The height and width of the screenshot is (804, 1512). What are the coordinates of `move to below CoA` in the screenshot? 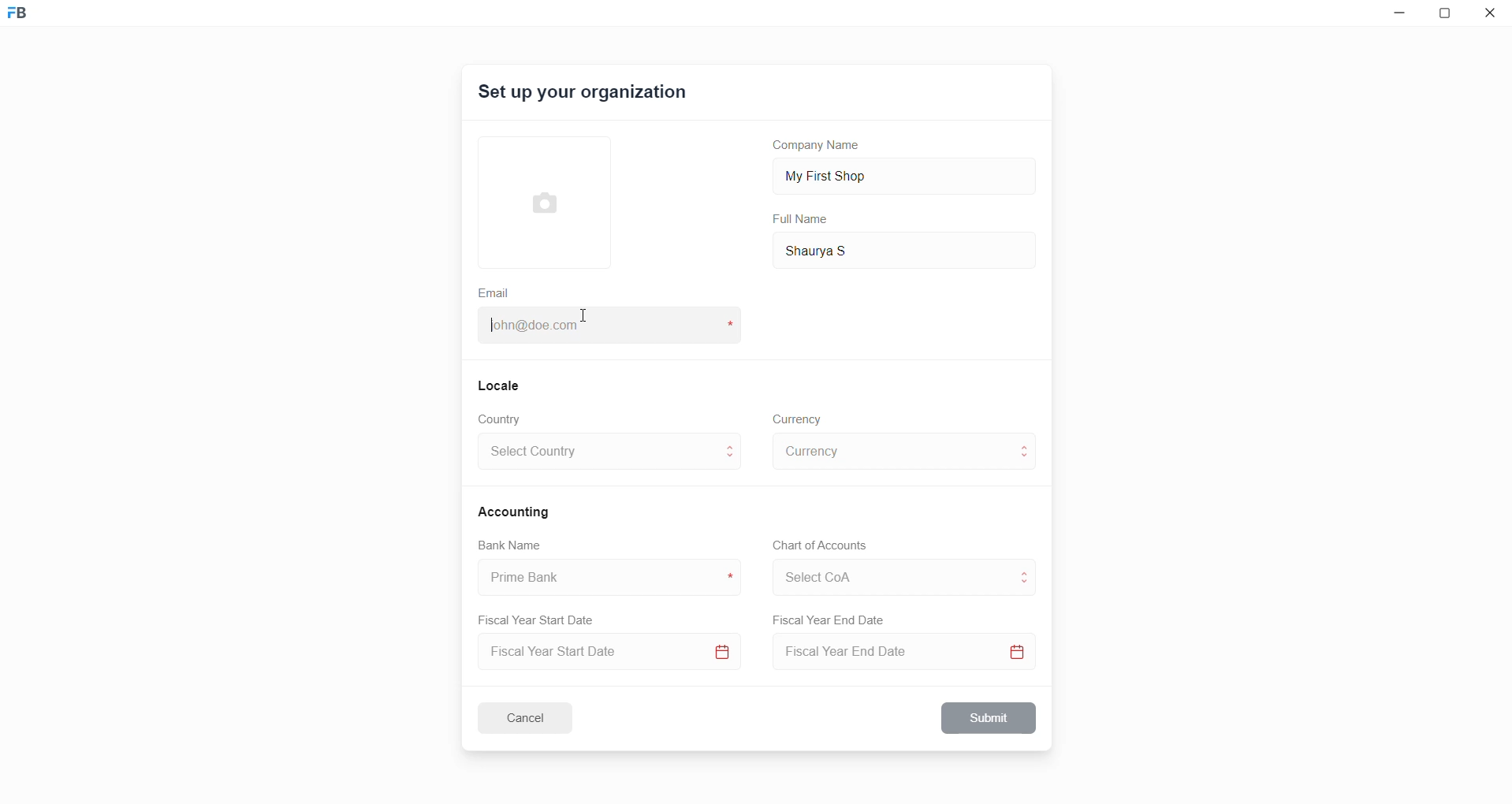 It's located at (1026, 585).